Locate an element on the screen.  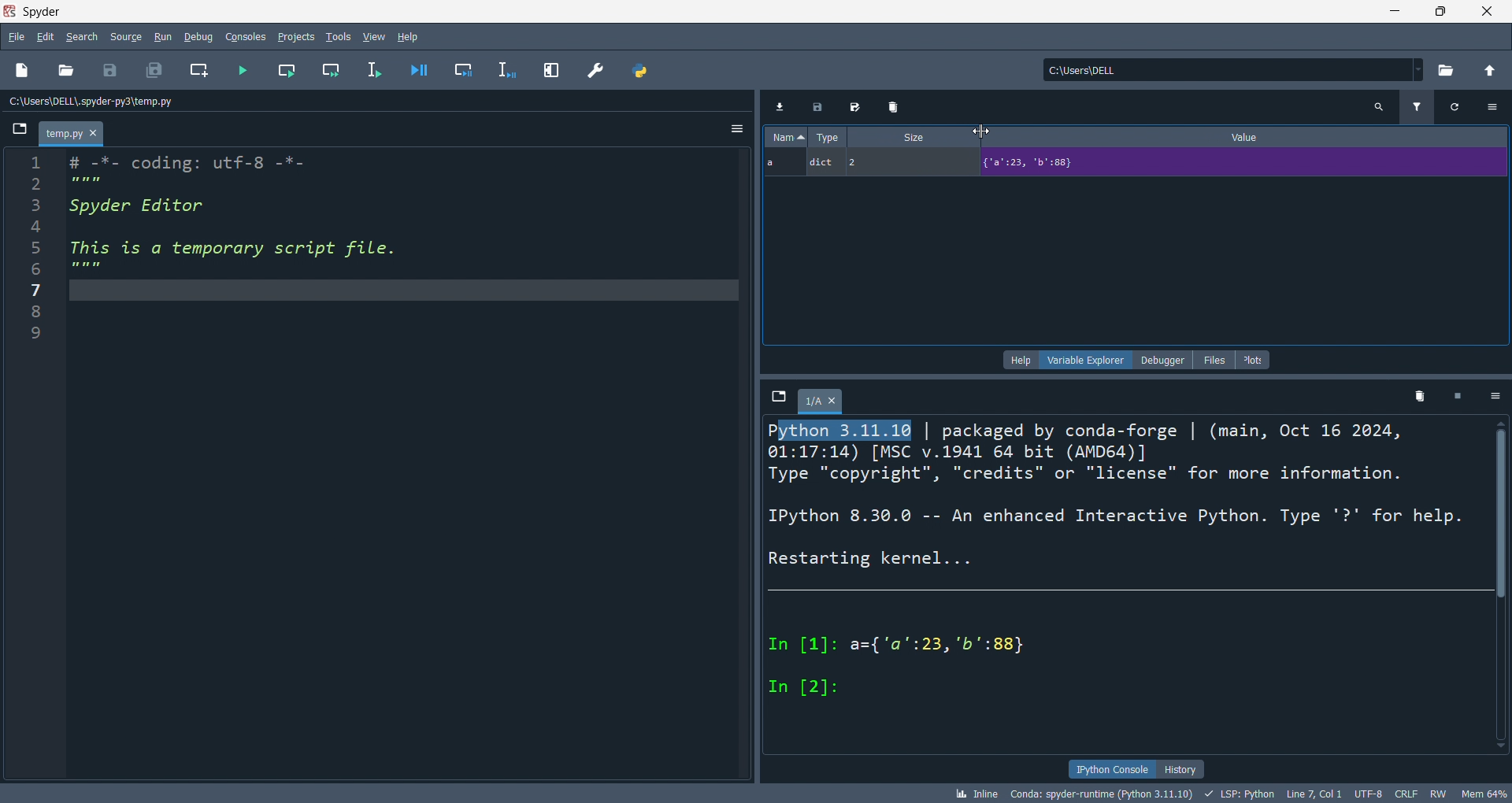
debug file is located at coordinates (423, 70).